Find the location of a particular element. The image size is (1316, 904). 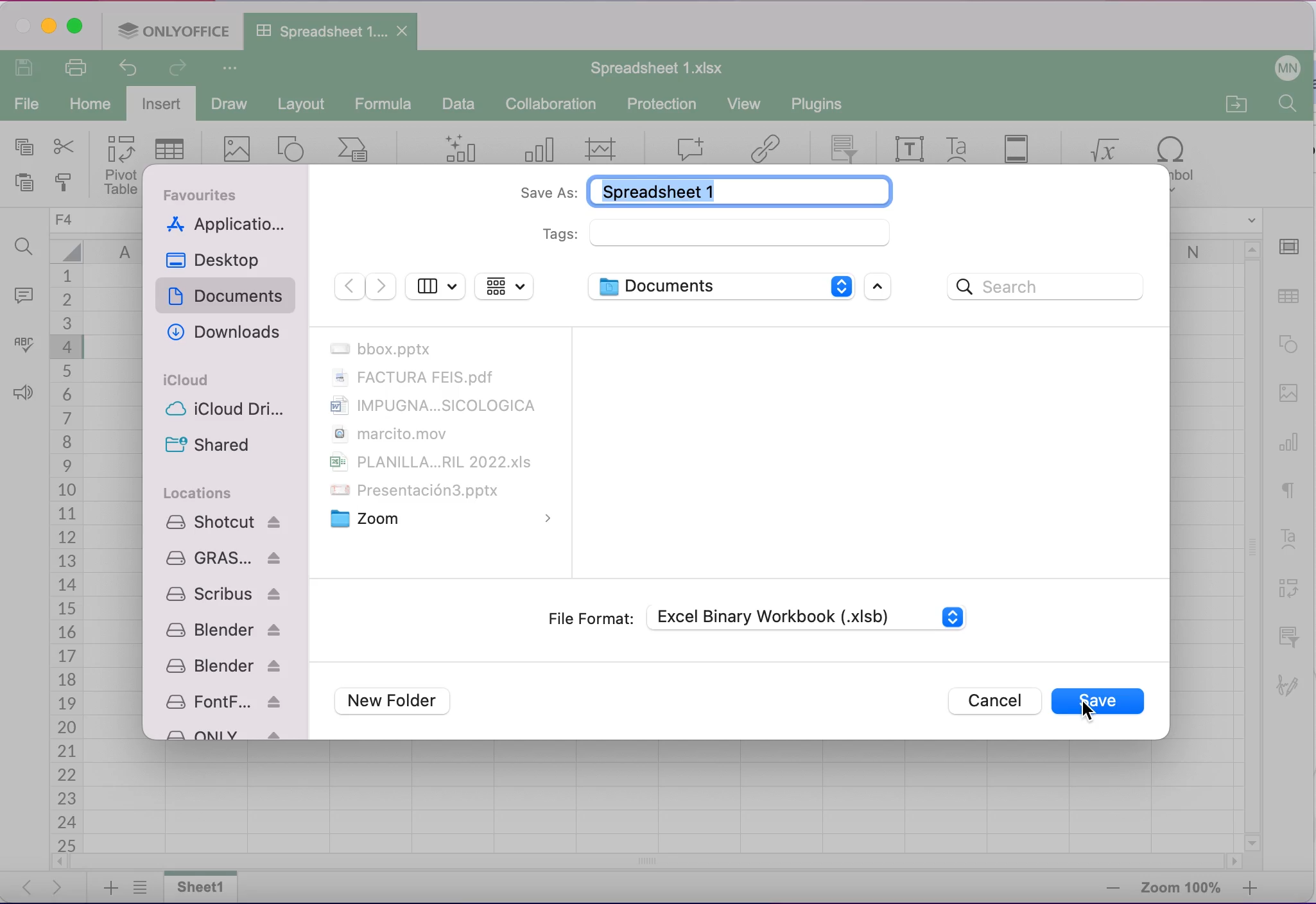

save as is located at coordinates (698, 189).